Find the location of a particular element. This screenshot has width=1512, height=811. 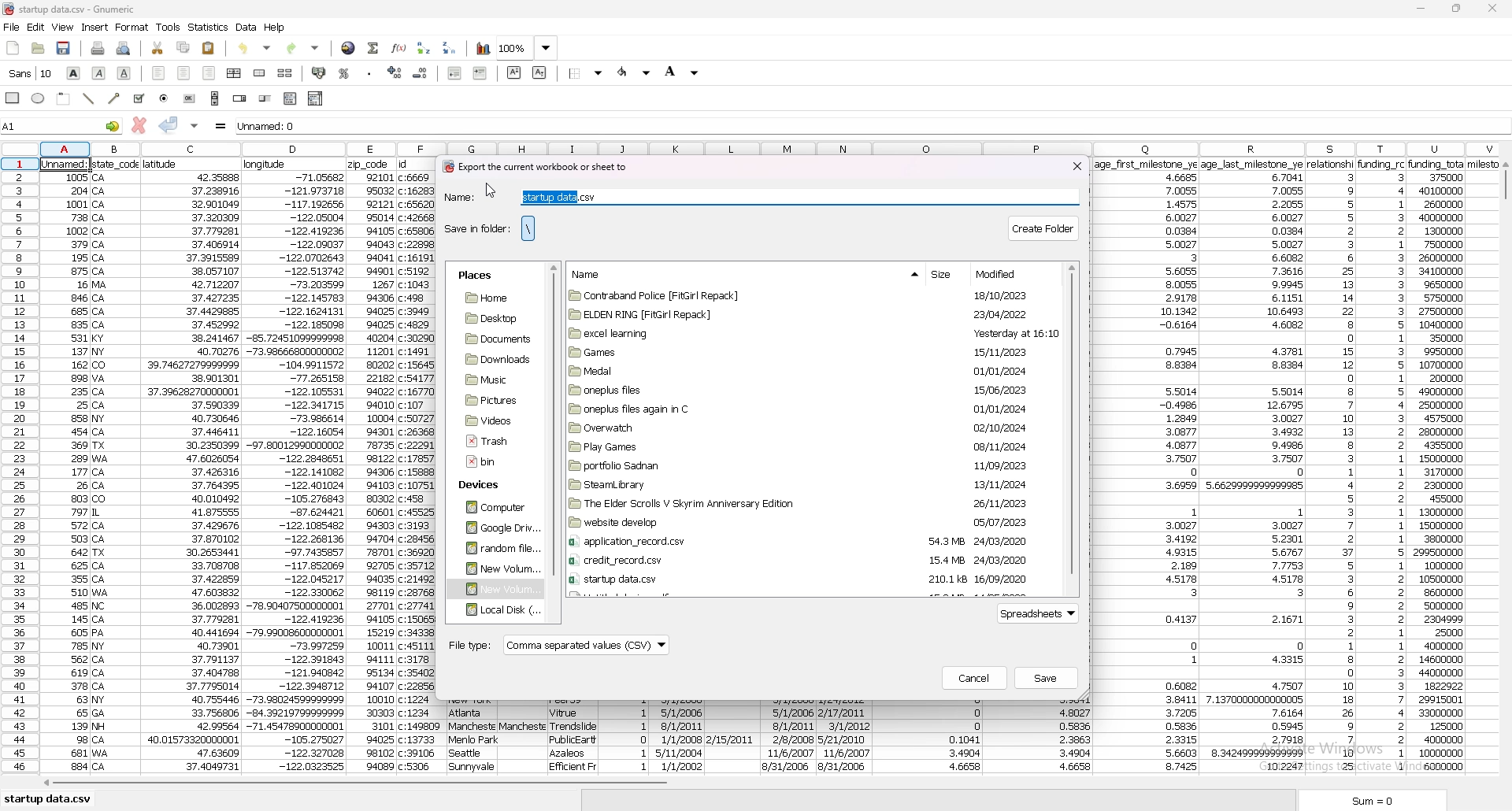

file name is located at coordinates (88, 9).